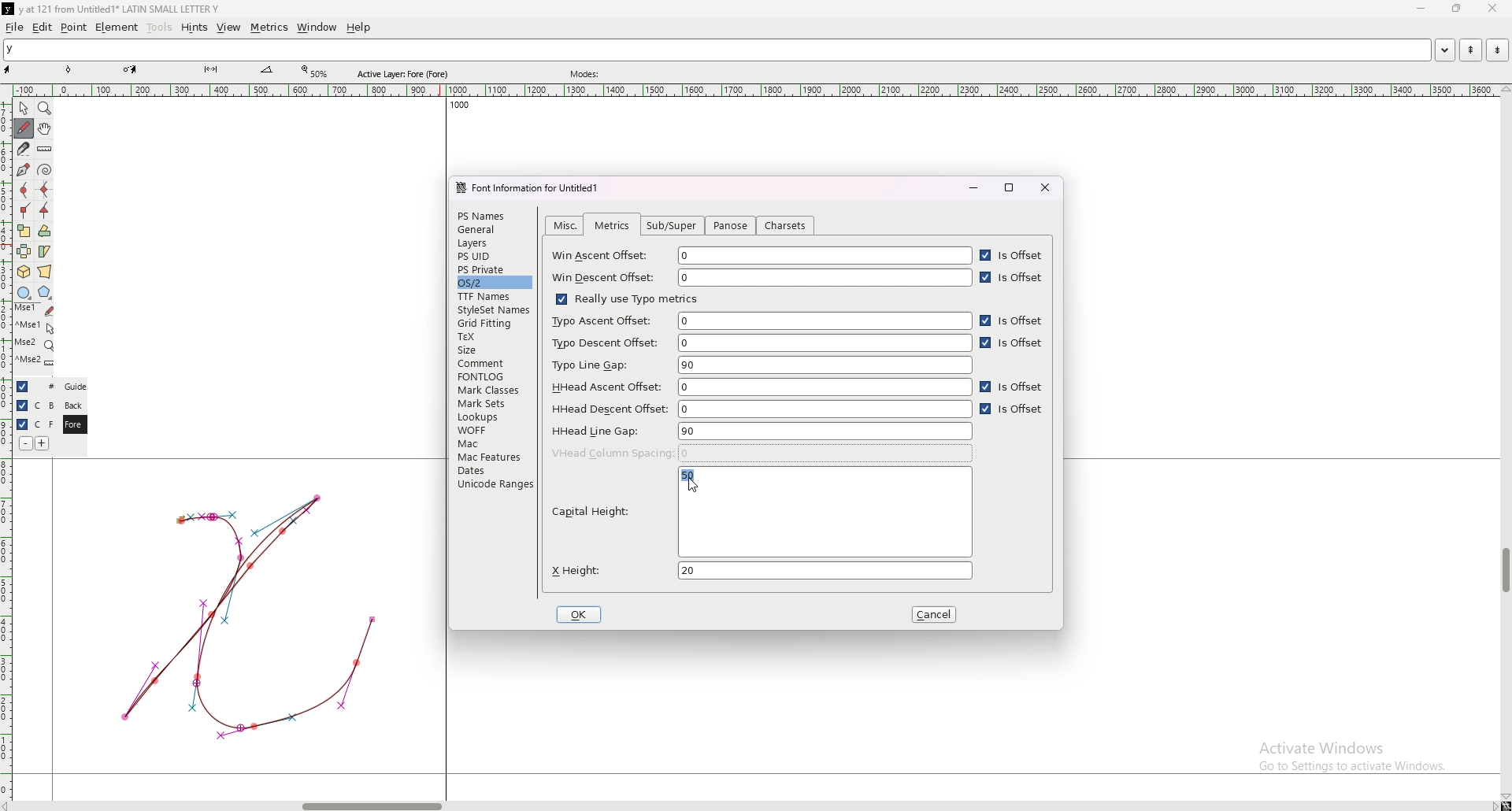  Describe the element at coordinates (372, 802) in the screenshot. I see `scroll bar horizontal` at that location.